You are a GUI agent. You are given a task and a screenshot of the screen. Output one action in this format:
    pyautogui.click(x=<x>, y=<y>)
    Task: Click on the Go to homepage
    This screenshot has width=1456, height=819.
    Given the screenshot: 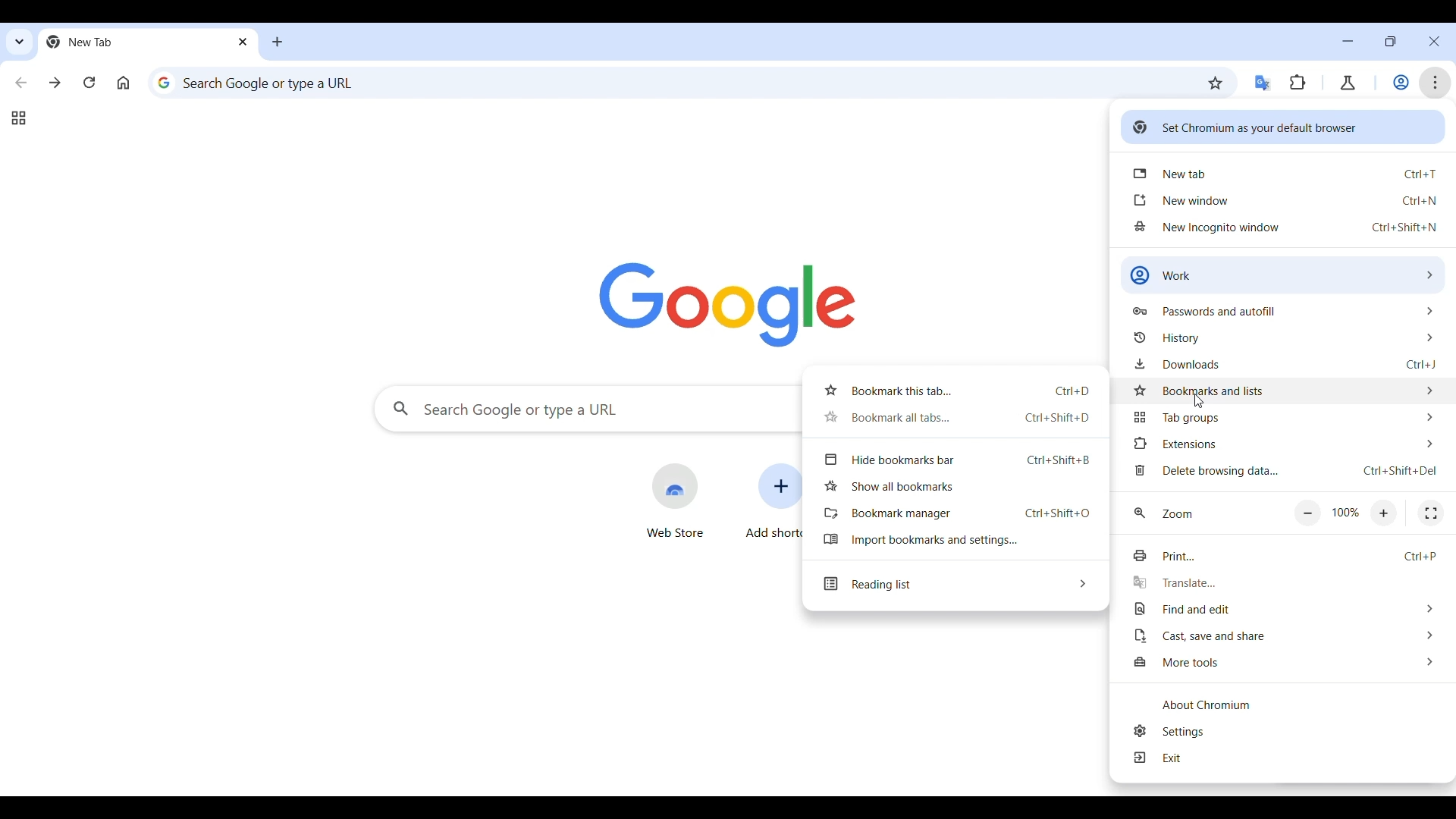 What is the action you would take?
    pyautogui.click(x=123, y=83)
    